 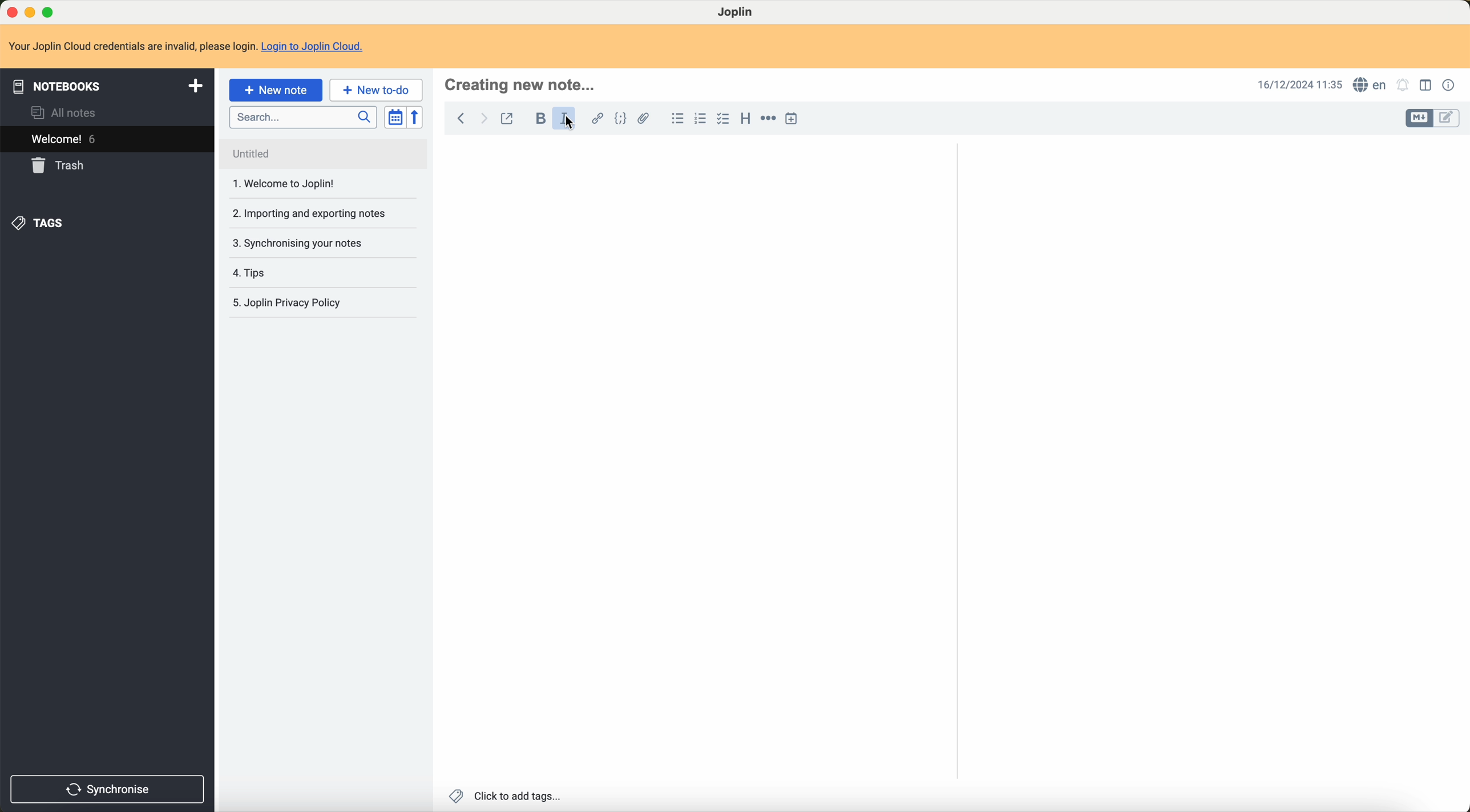 What do you see at coordinates (723, 119) in the screenshot?
I see `checkbox` at bounding box center [723, 119].